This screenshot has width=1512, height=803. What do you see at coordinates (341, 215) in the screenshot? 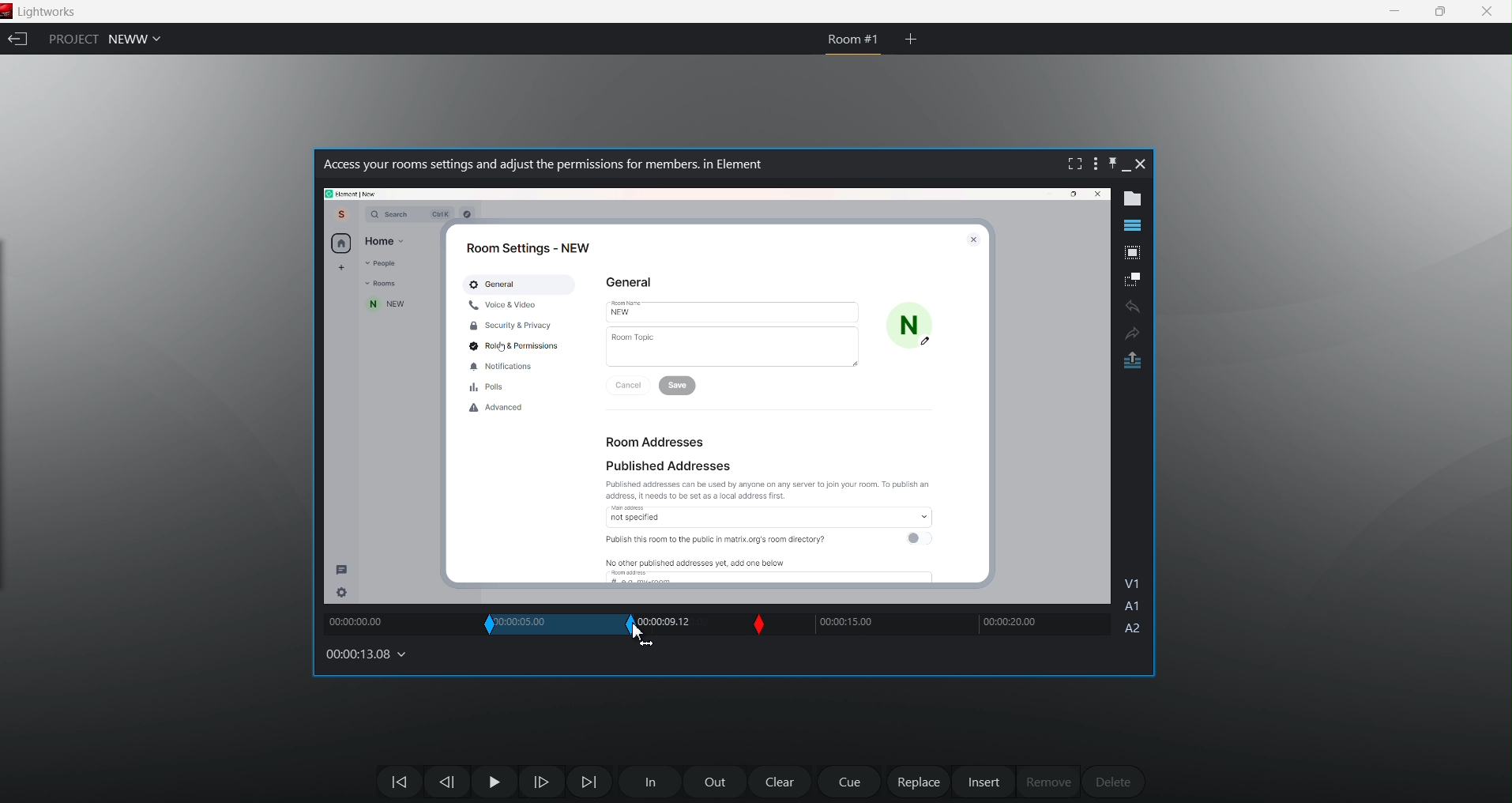
I see `Account` at bounding box center [341, 215].